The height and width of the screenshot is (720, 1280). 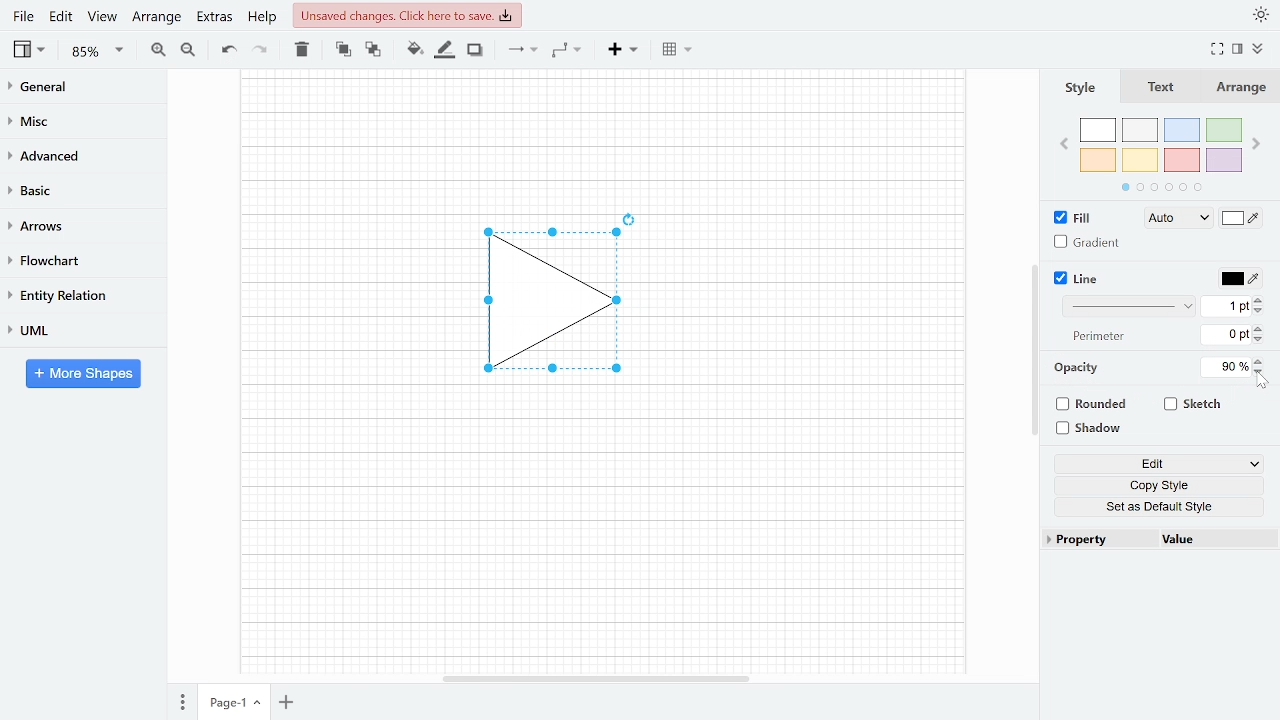 What do you see at coordinates (1194, 404) in the screenshot?
I see `Sketch` at bounding box center [1194, 404].